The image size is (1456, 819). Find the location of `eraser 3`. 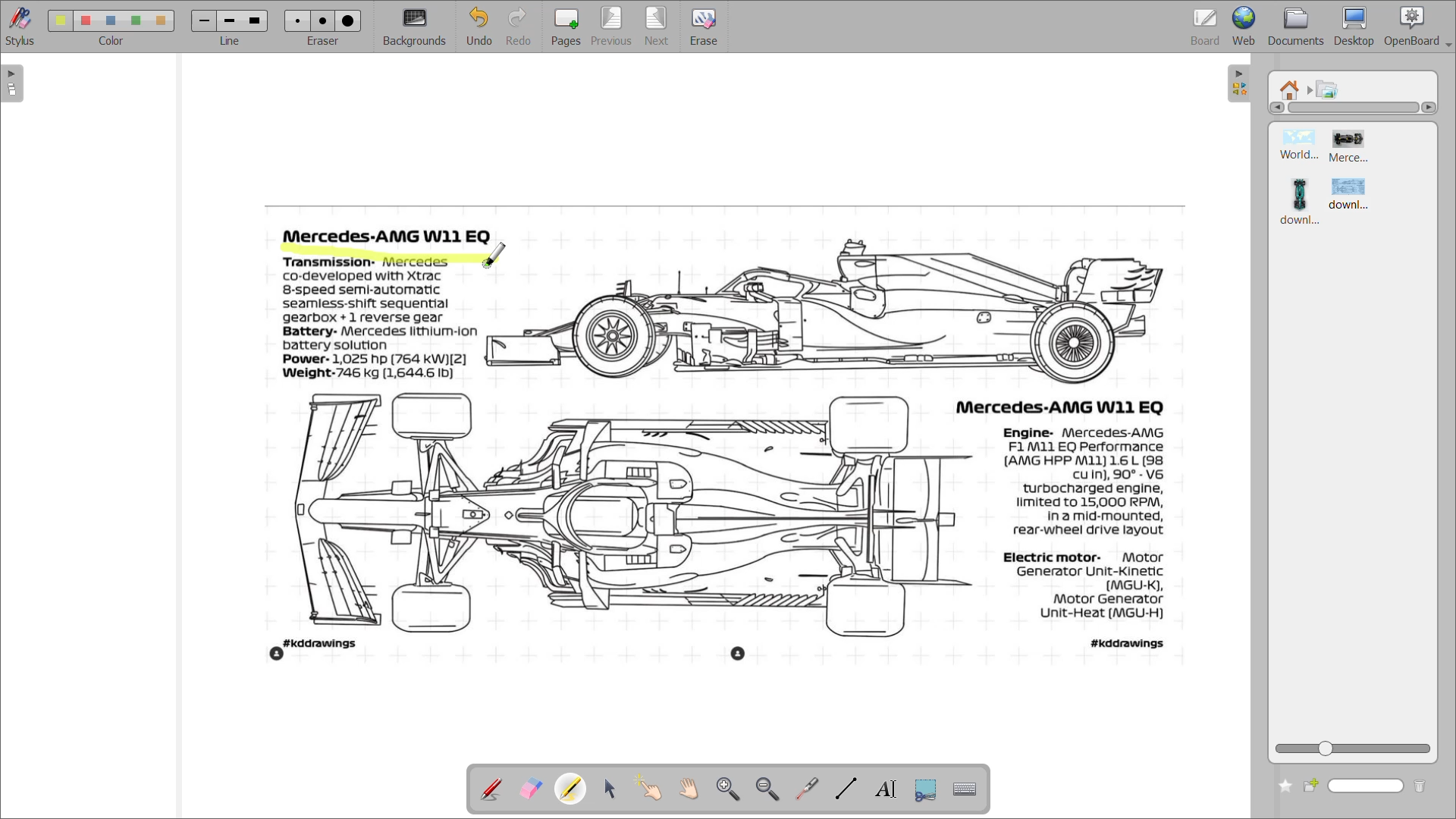

eraser 3 is located at coordinates (347, 20).